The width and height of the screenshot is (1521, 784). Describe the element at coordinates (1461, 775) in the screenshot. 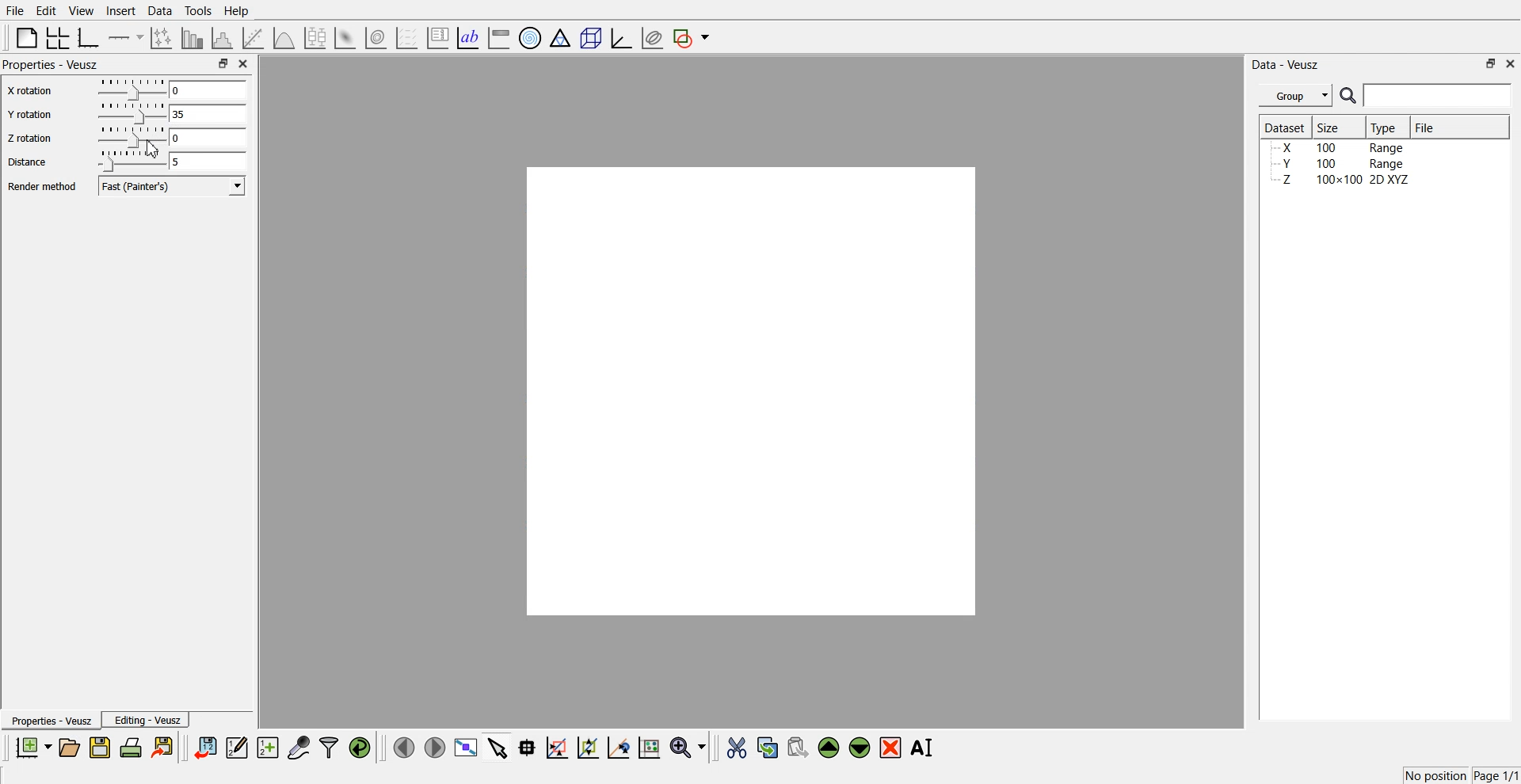

I see `No position Page 1/1` at that location.